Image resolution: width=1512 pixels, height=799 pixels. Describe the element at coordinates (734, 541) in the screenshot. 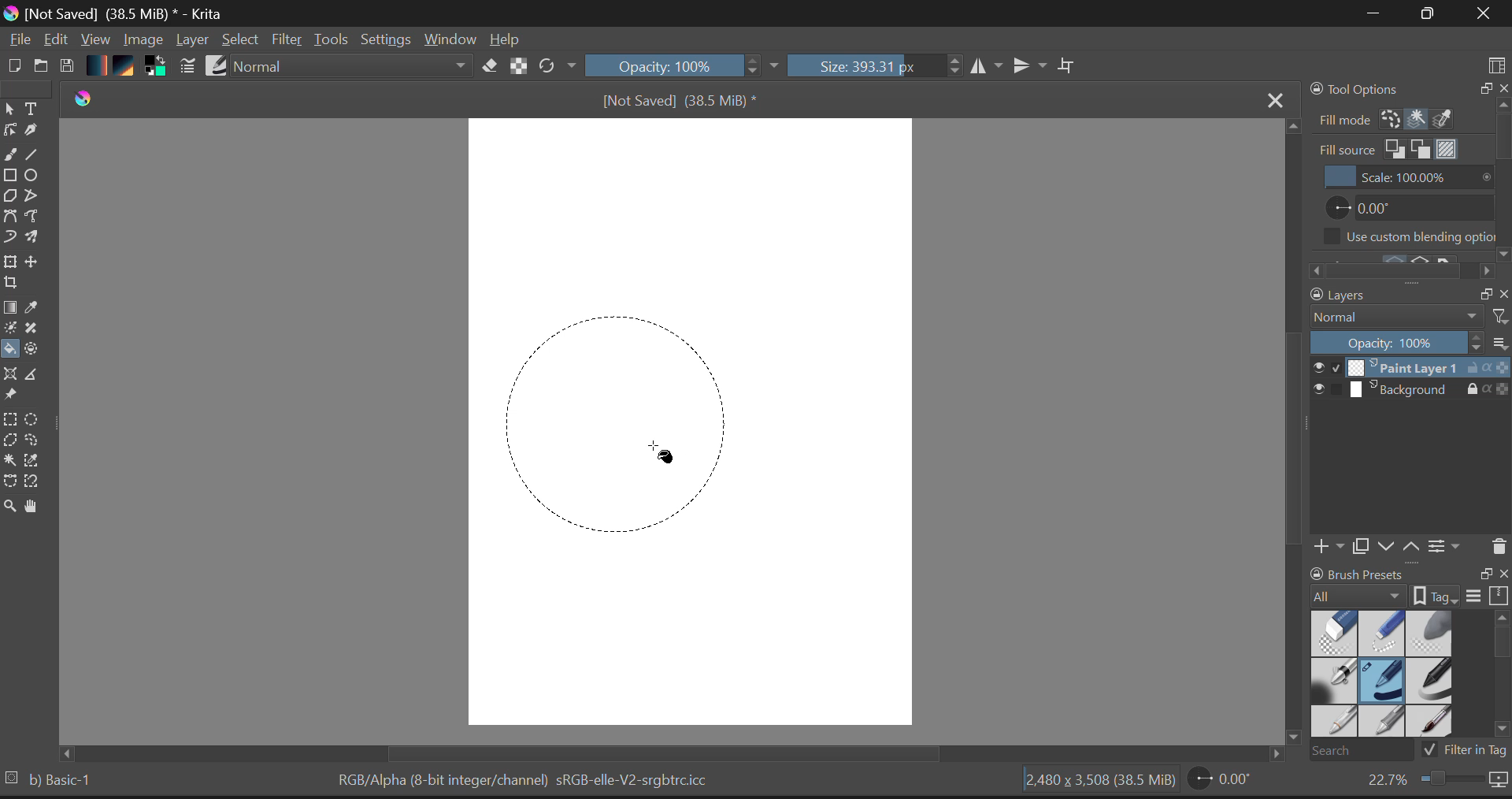

I see `MOUSE_UP Cursor Position` at that location.